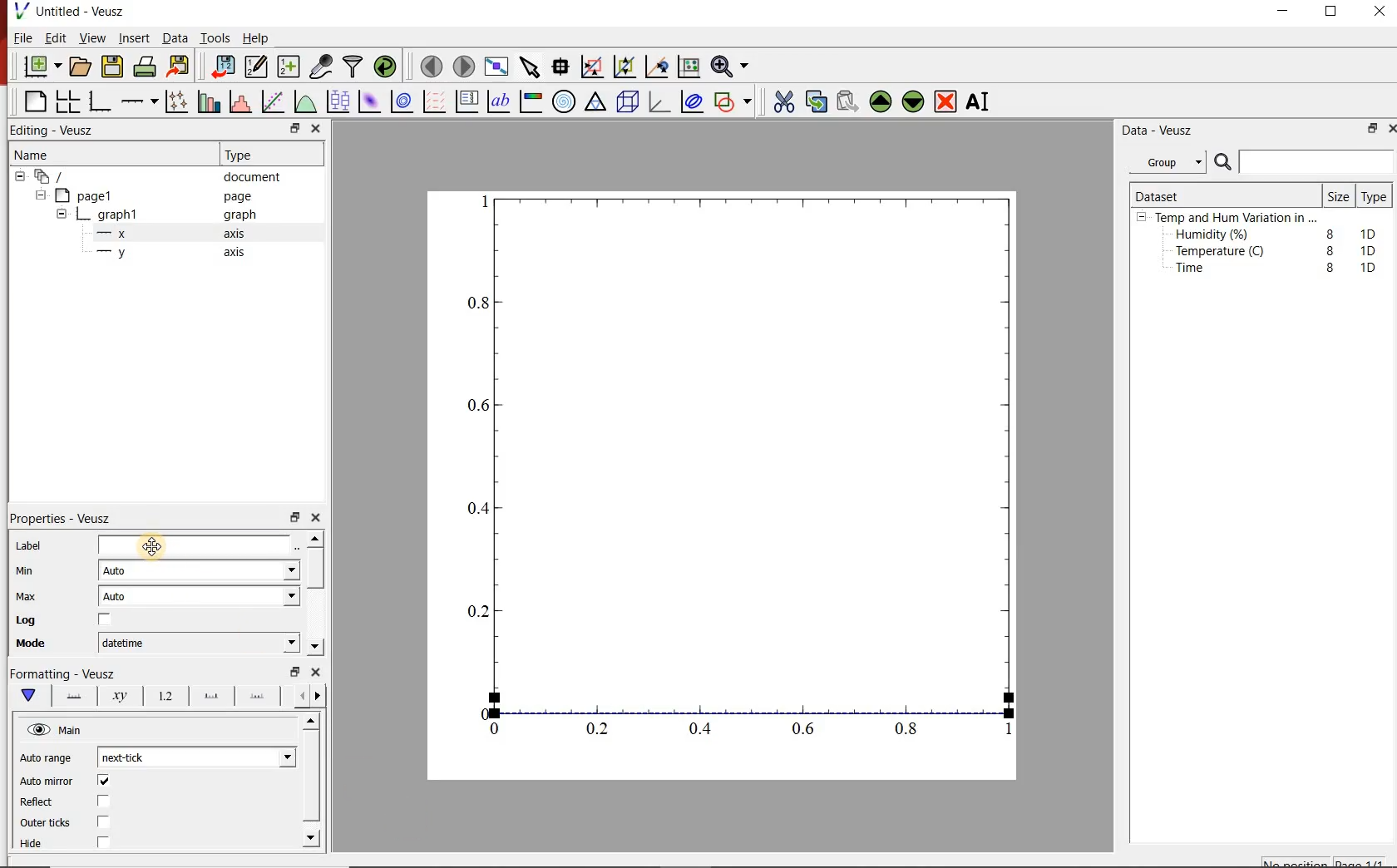 Image resolution: width=1397 pixels, height=868 pixels. What do you see at coordinates (165, 696) in the screenshot?
I see `tick labels` at bounding box center [165, 696].